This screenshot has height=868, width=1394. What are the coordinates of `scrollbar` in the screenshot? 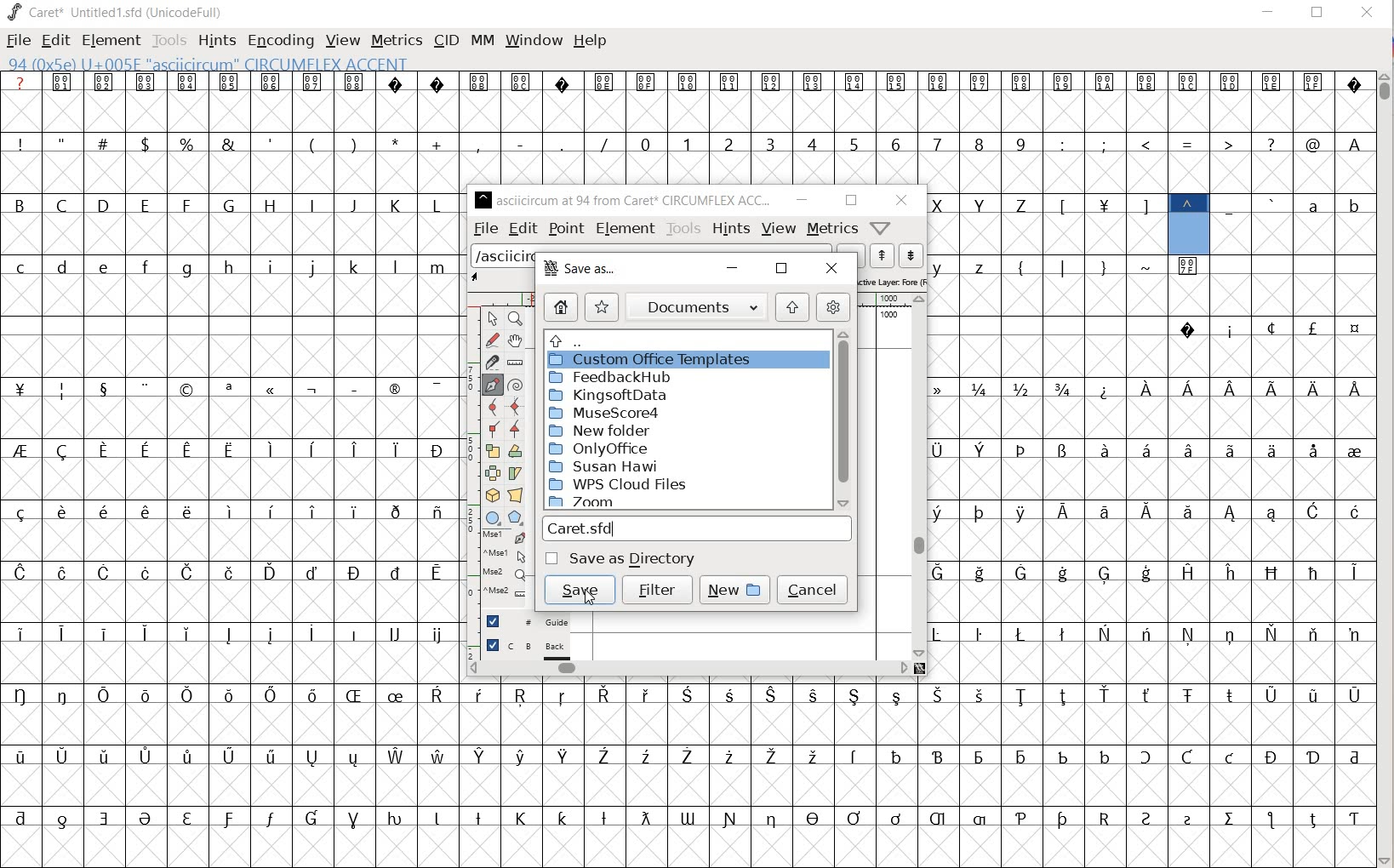 It's located at (920, 477).